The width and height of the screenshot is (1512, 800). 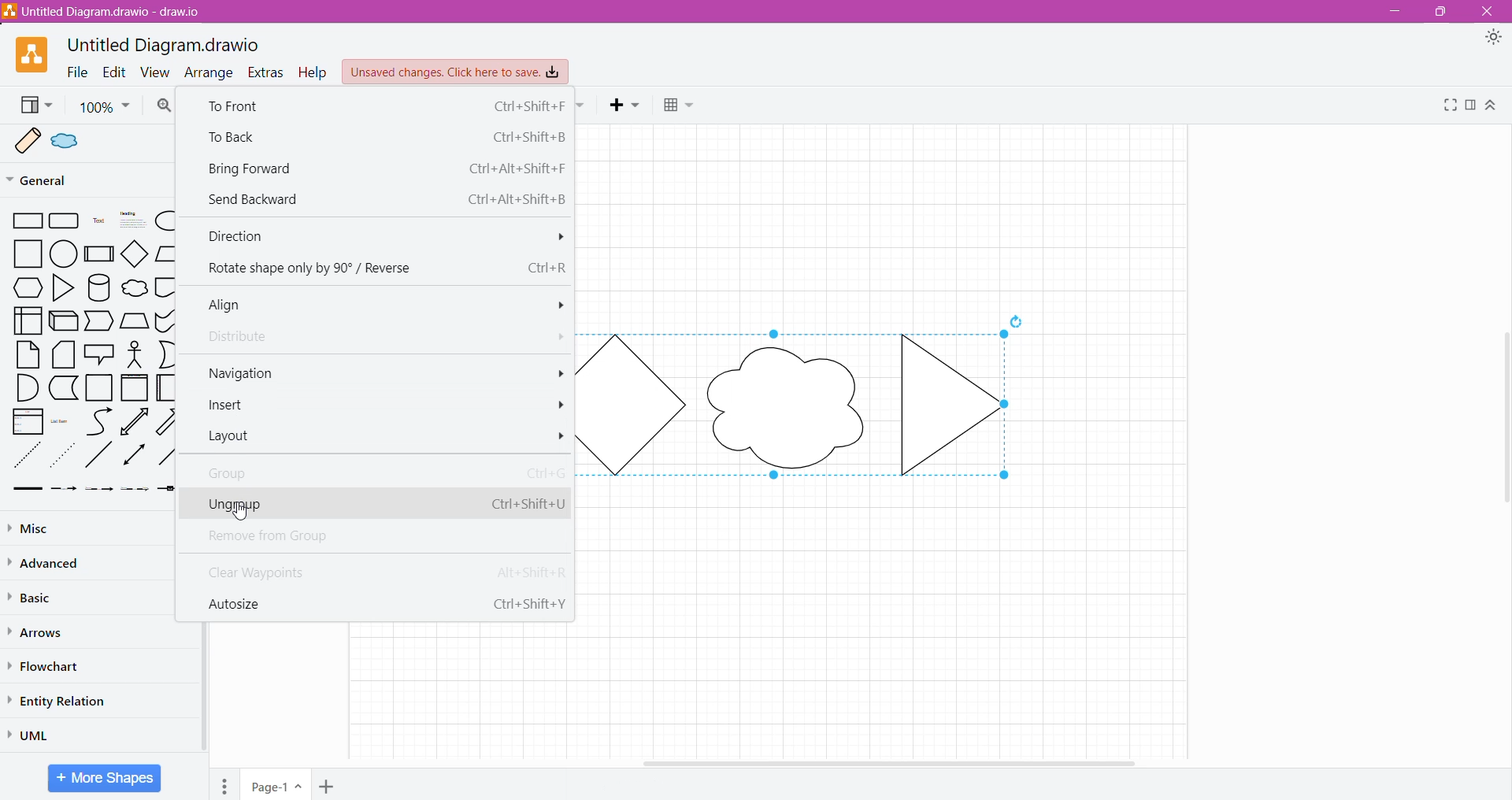 What do you see at coordinates (583, 107) in the screenshot?
I see `Waypoints` at bounding box center [583, 107].